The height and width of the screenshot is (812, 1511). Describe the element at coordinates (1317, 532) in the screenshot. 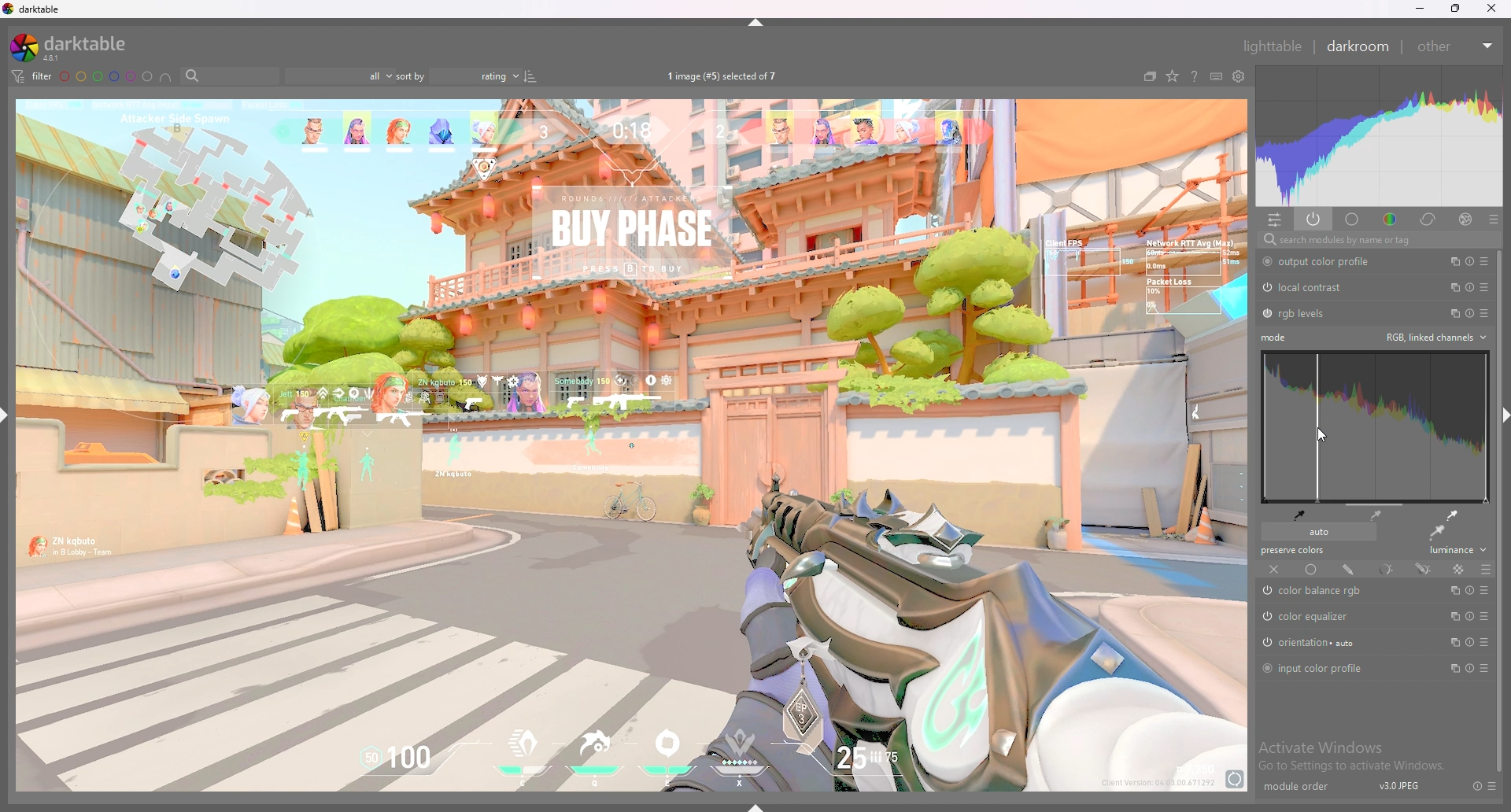

I see `auto` at that location.